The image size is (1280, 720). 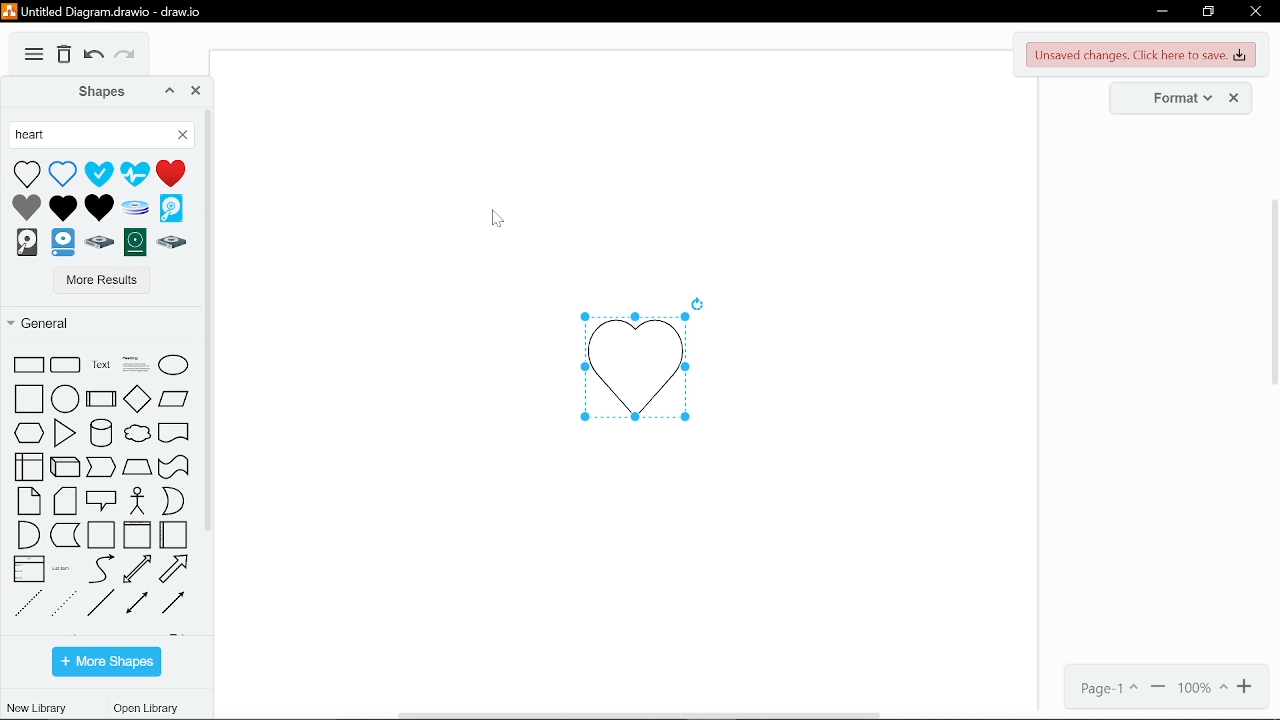 What do you see at coordinates (135, 244) in the screenshot?
I see `hdd` at bounding box center [135, 244].